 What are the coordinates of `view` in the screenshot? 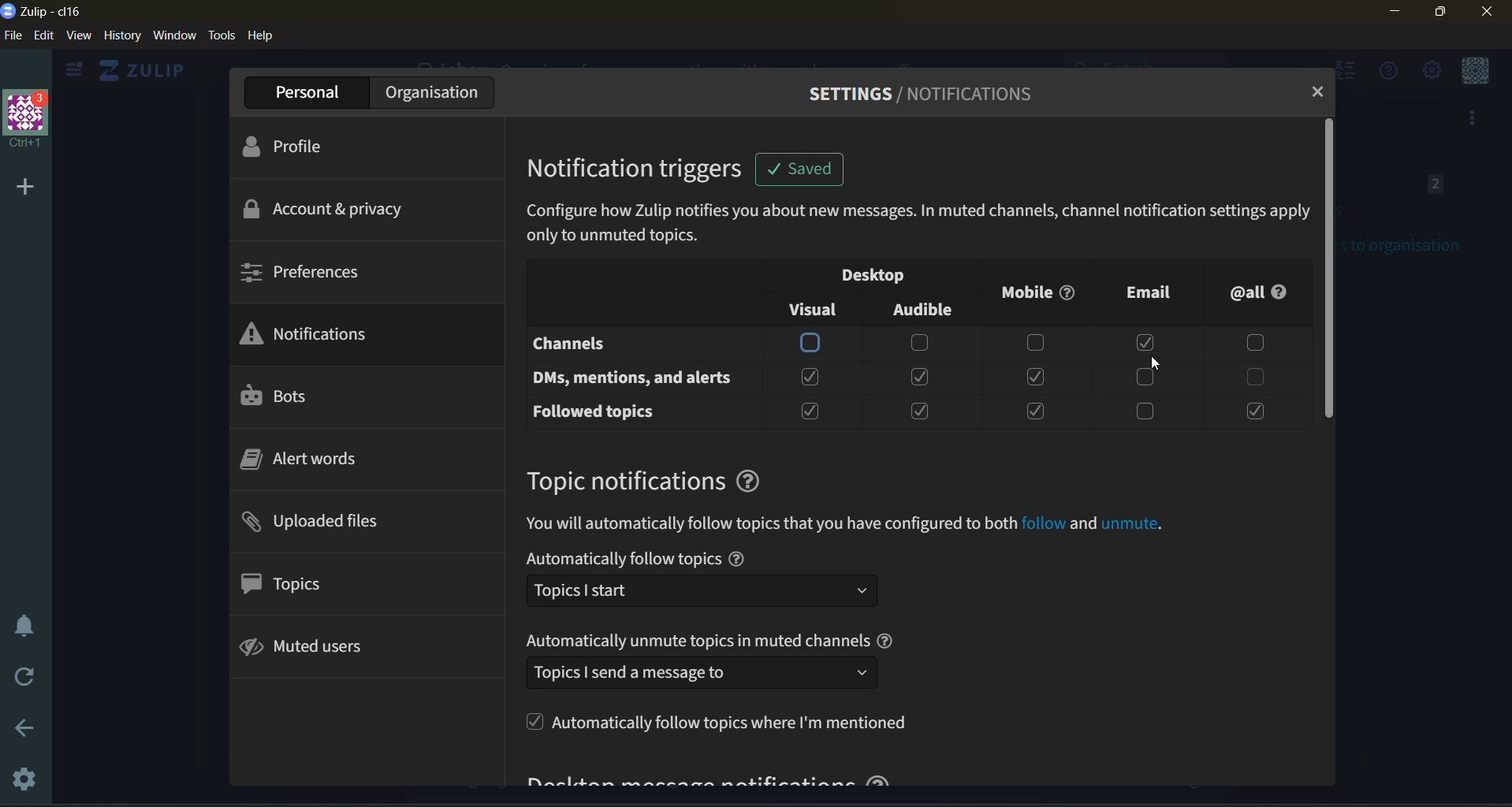 It's located at (79, 35).